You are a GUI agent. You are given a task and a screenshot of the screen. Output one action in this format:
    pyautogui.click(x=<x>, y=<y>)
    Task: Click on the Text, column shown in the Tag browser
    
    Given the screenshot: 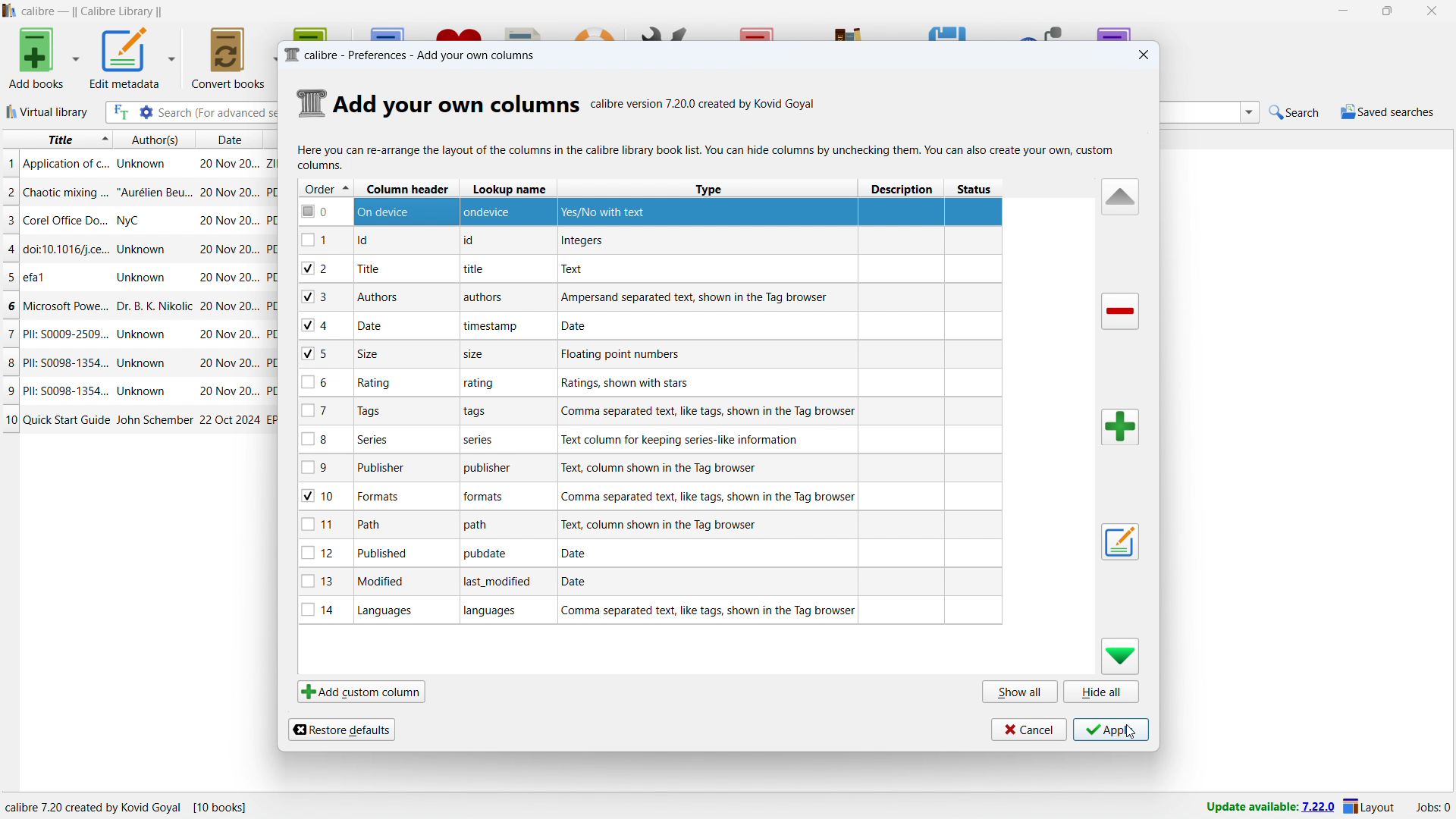 What is the action you would take?
    pyautogui.click(x=661, y=524)
    